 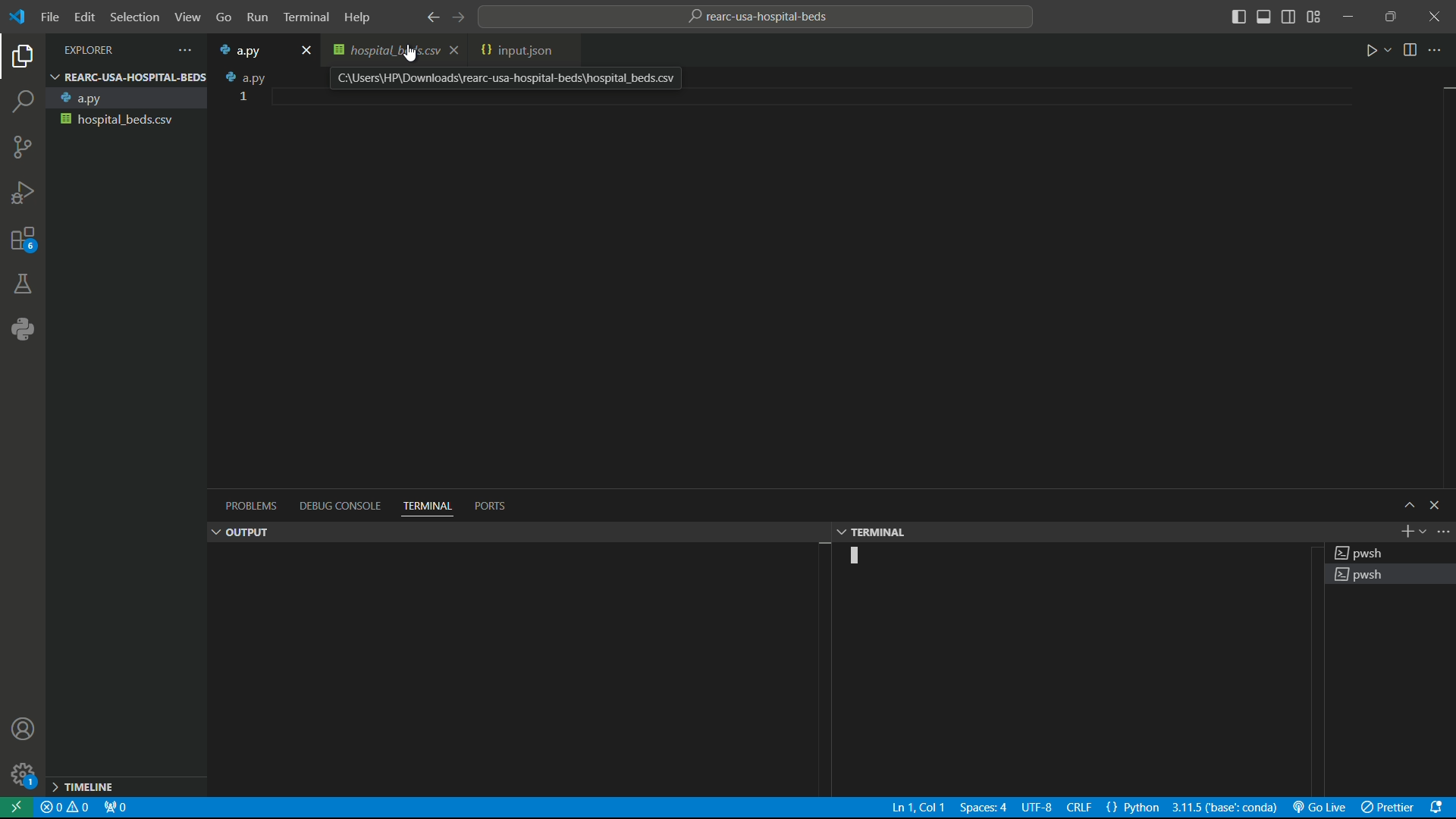 What do you see at coordinates (117, 809) in the screenshot?
I see `ports forwarded` at bounding box center [117, 809].